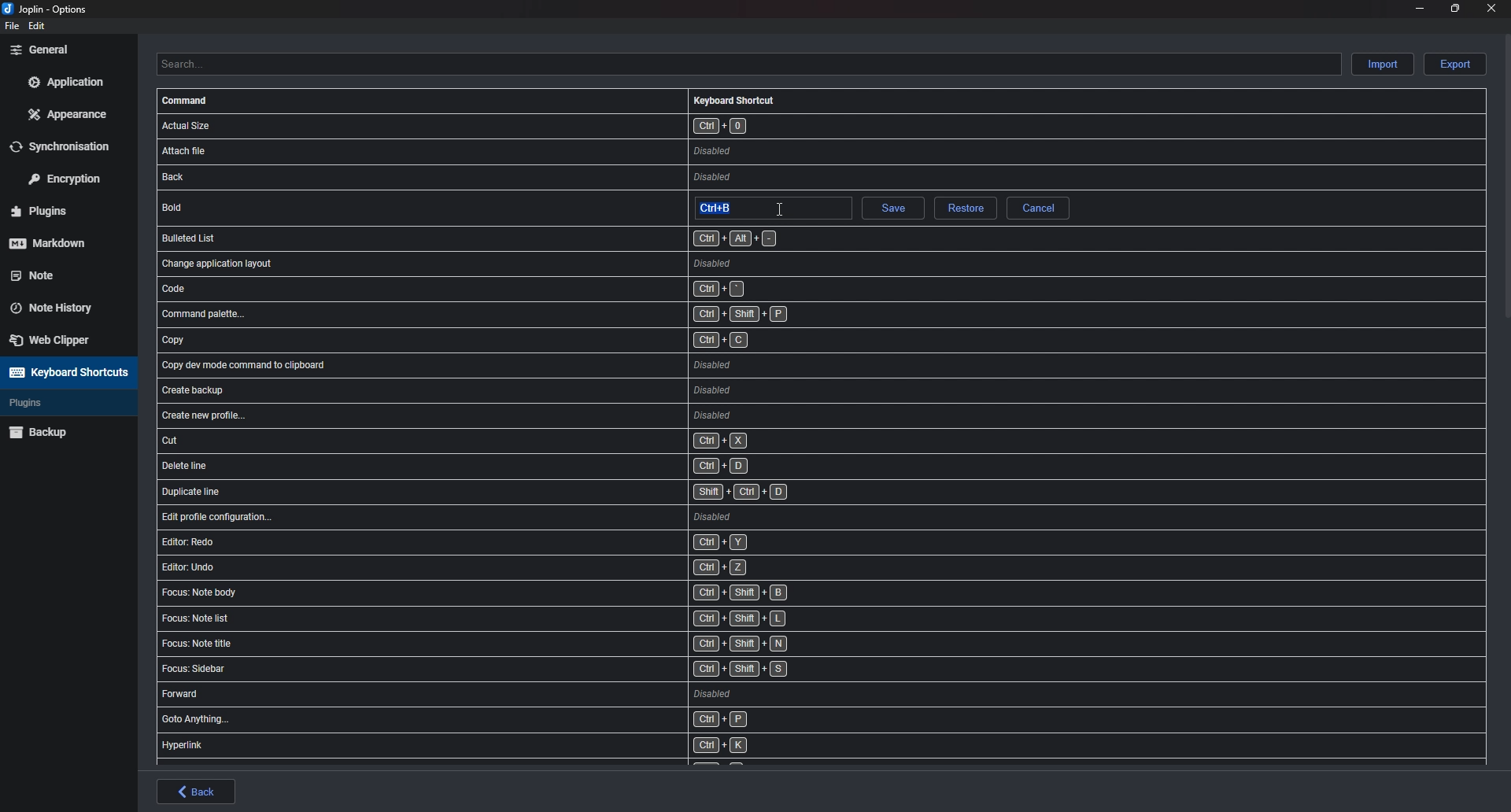 The height and width of the screenshot is (812, 1511). I want to click on Application, so click(65, 82).